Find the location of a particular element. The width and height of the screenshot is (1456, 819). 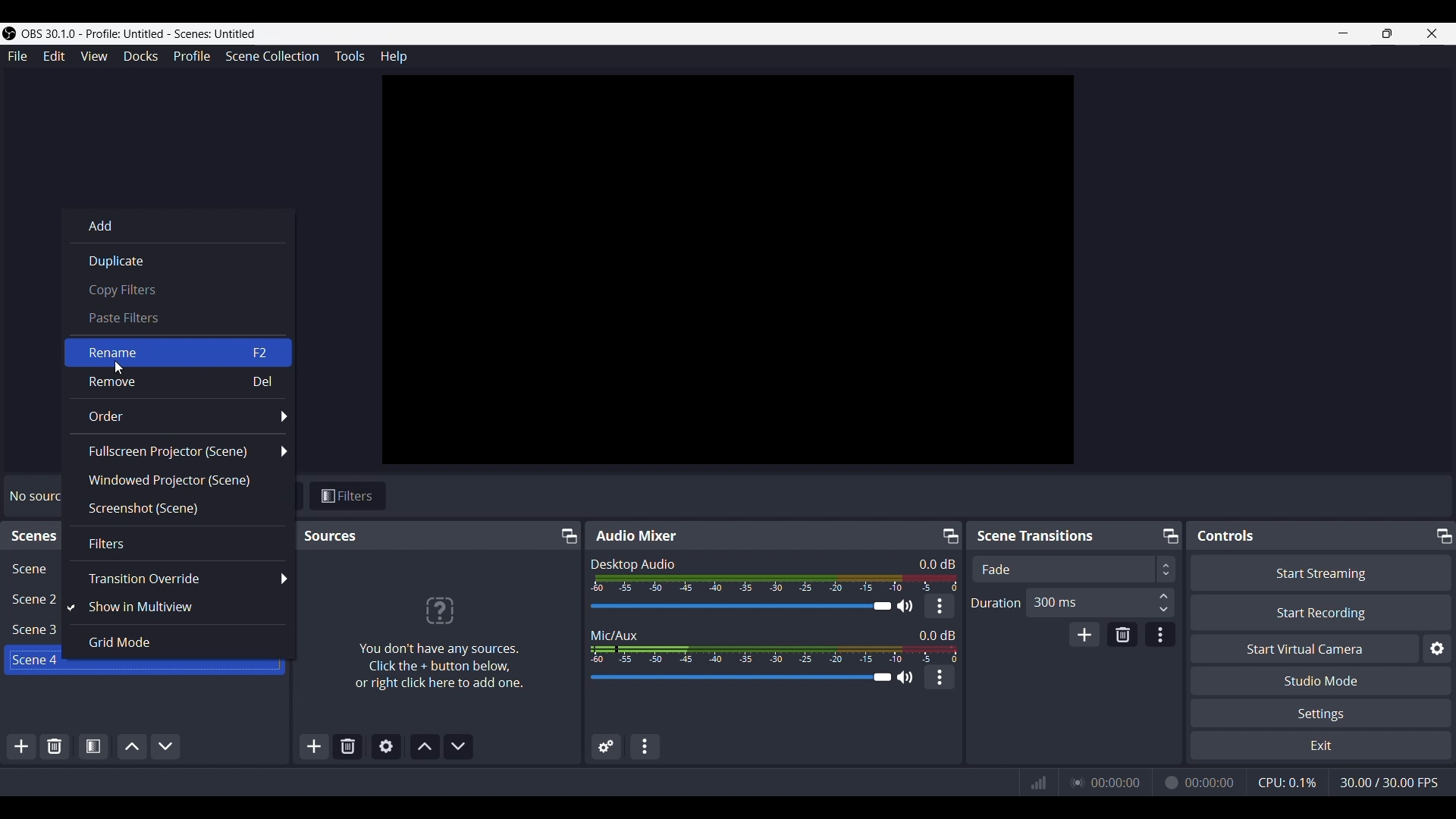

Live Duration Time is located at coordinates (1116, 783).